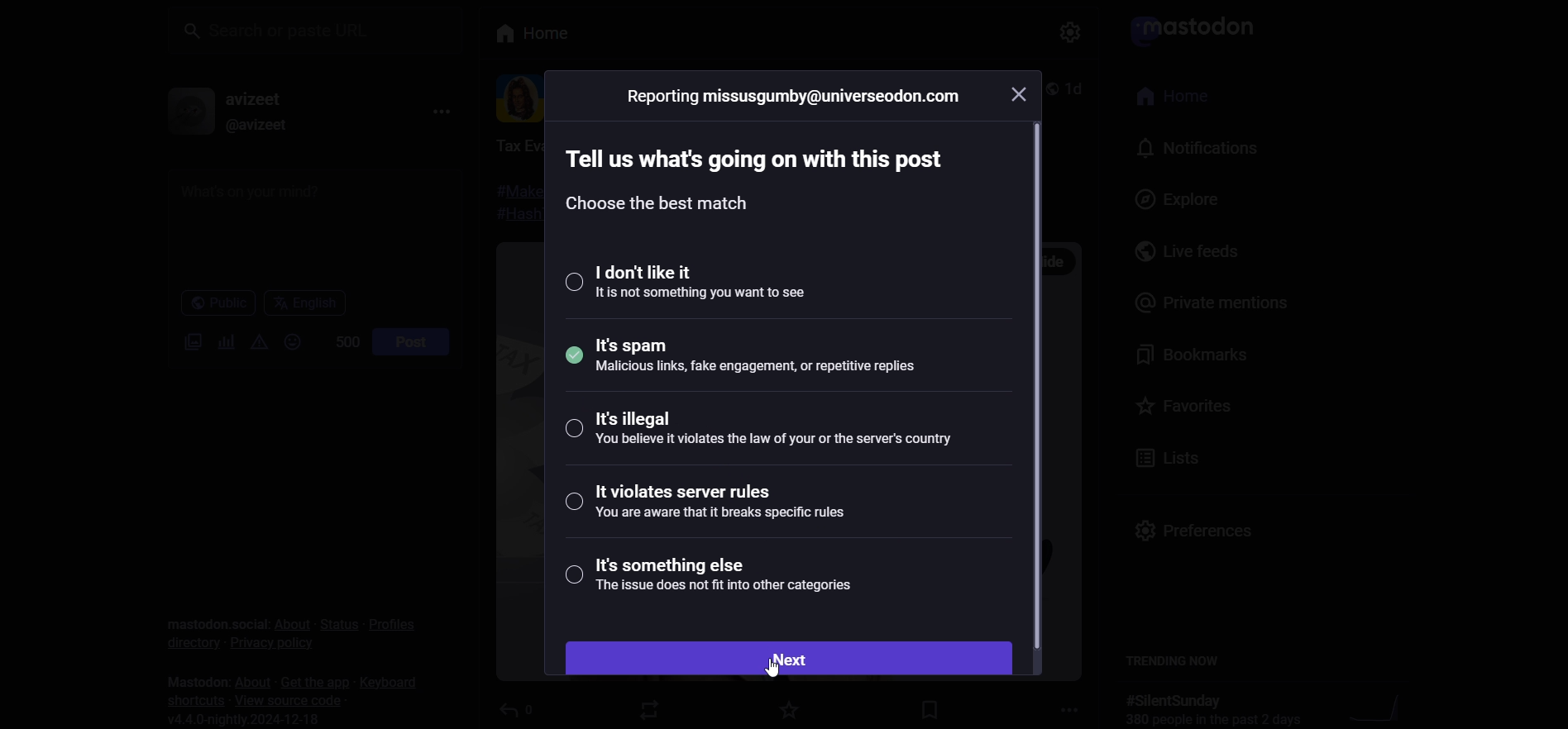  Describe the element at coordinates (756, 430) in the screenshot. I see `illegal` at that location.